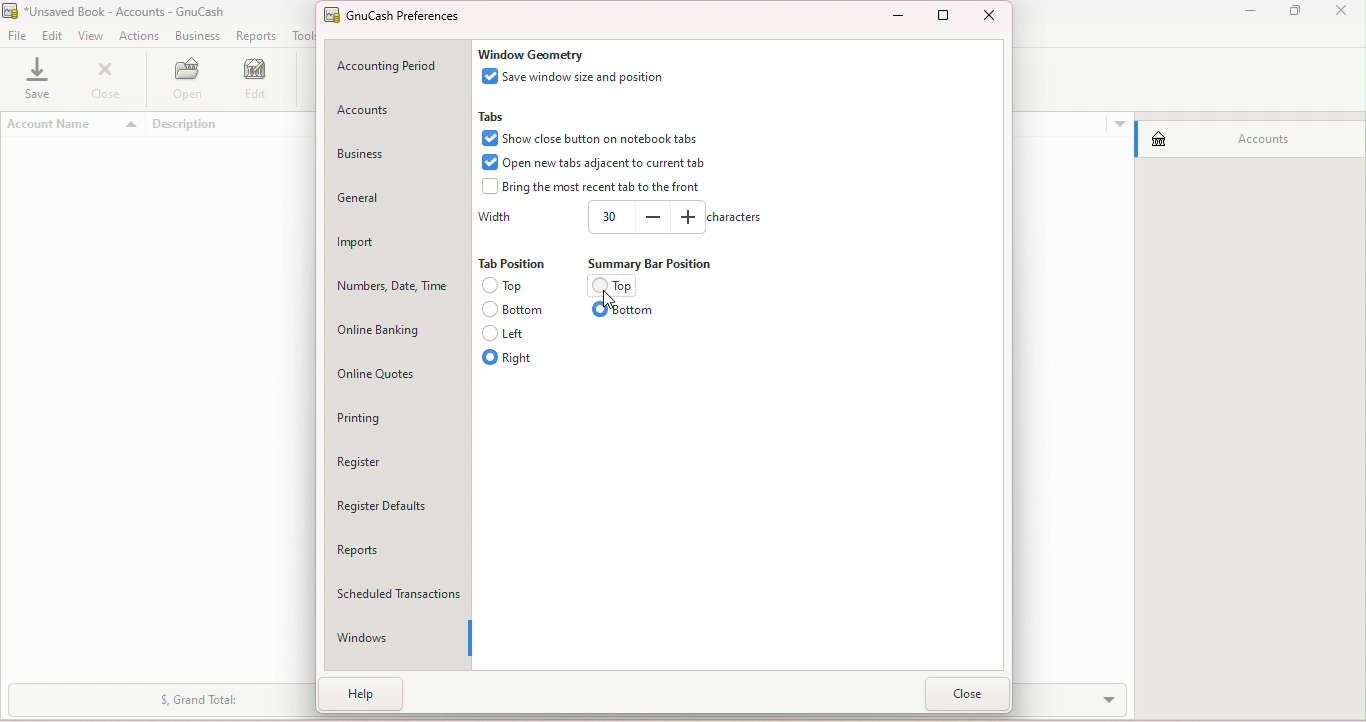 This screenshot has height=722, width=1366. Describe the element at coordinates (76, 126) in the screenshot. I see `Account name` at that location.